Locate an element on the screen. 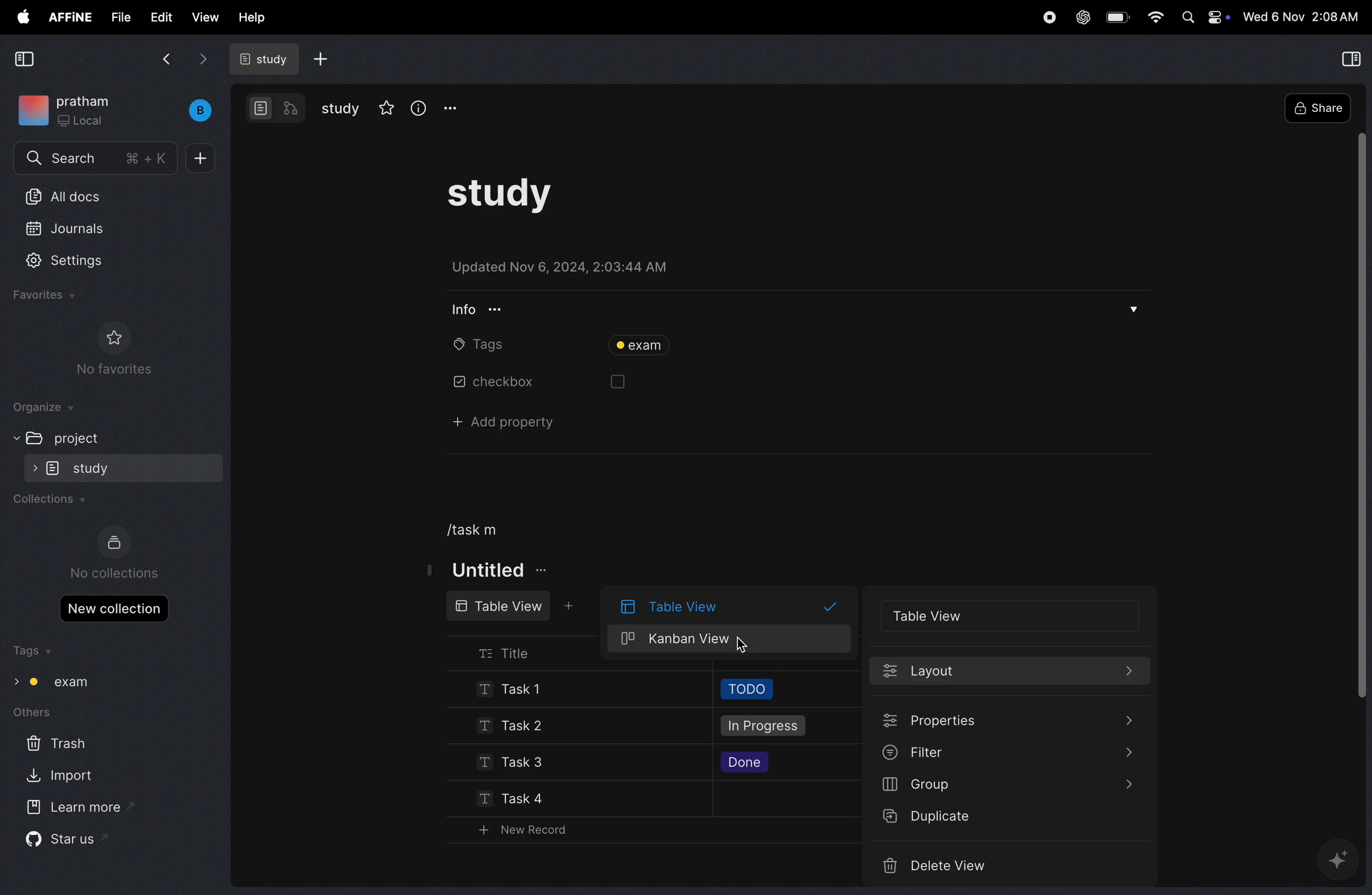 This screenshot has width=1372, height=895. study is located at coordinates (338, 110).